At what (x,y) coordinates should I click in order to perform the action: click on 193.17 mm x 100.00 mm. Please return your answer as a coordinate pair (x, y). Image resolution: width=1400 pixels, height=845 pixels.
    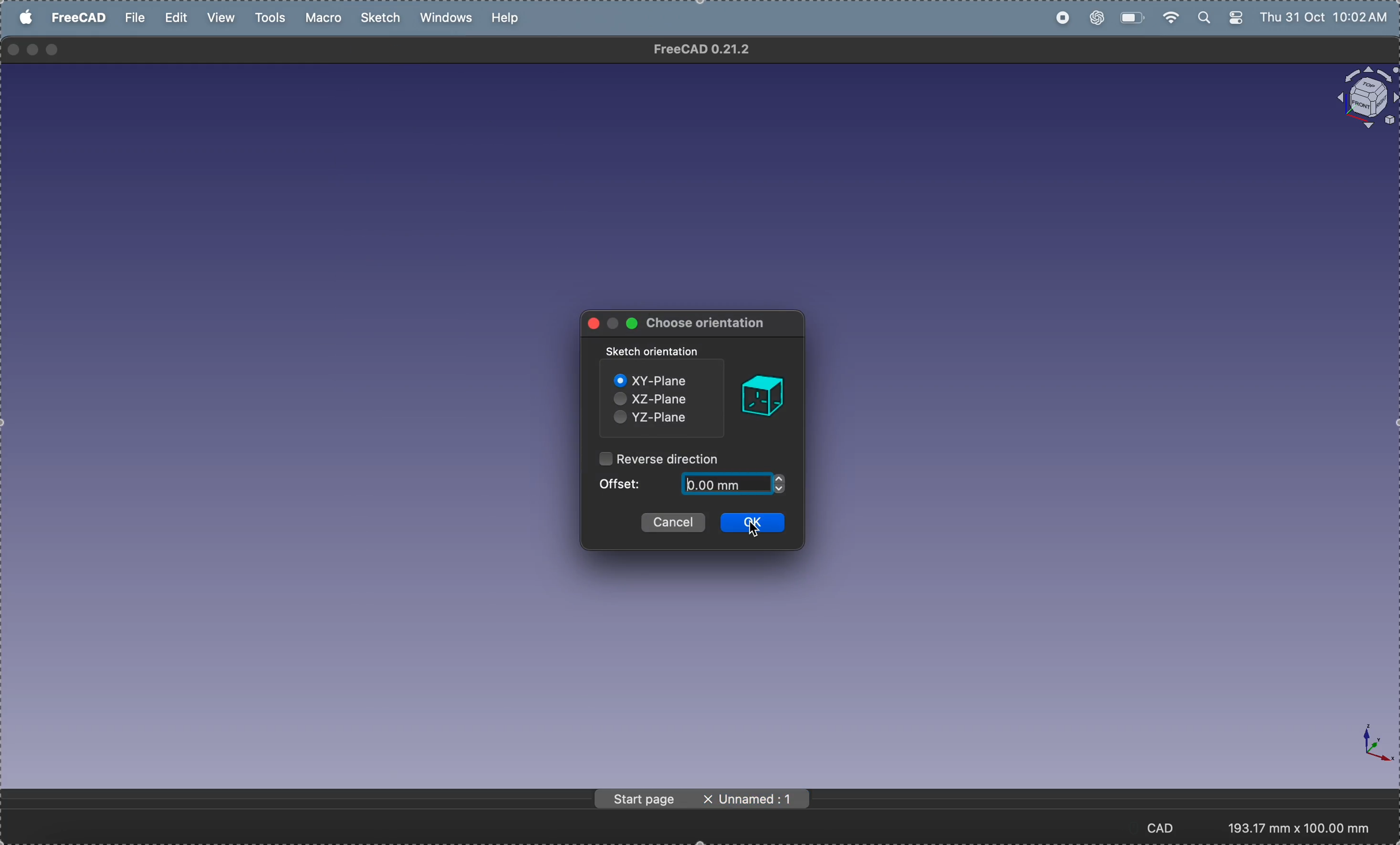
    Looking at the image, I should click on (1299, 828).